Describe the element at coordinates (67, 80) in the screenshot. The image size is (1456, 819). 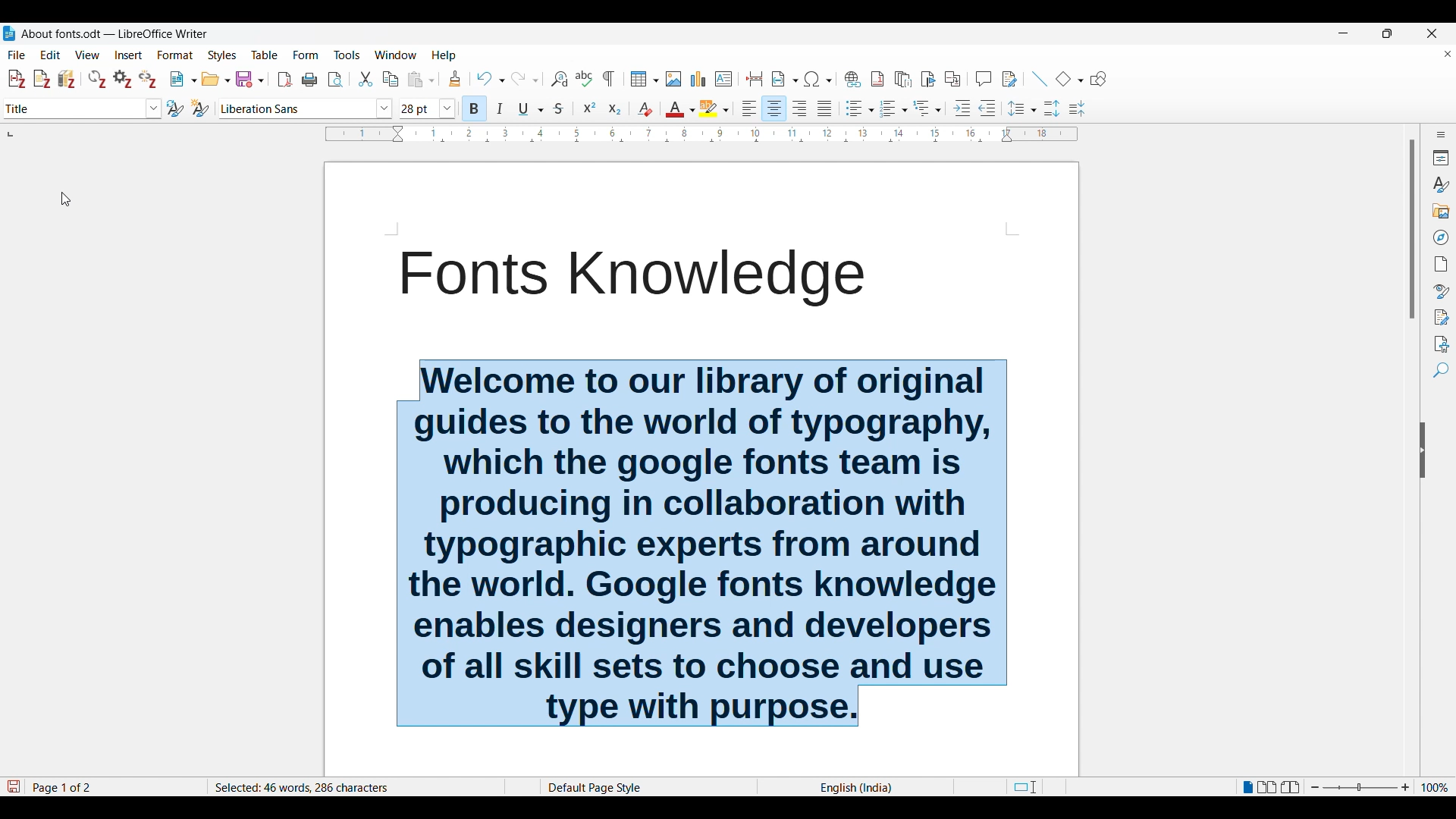
I see `Add/Edit bibliography` at that location.